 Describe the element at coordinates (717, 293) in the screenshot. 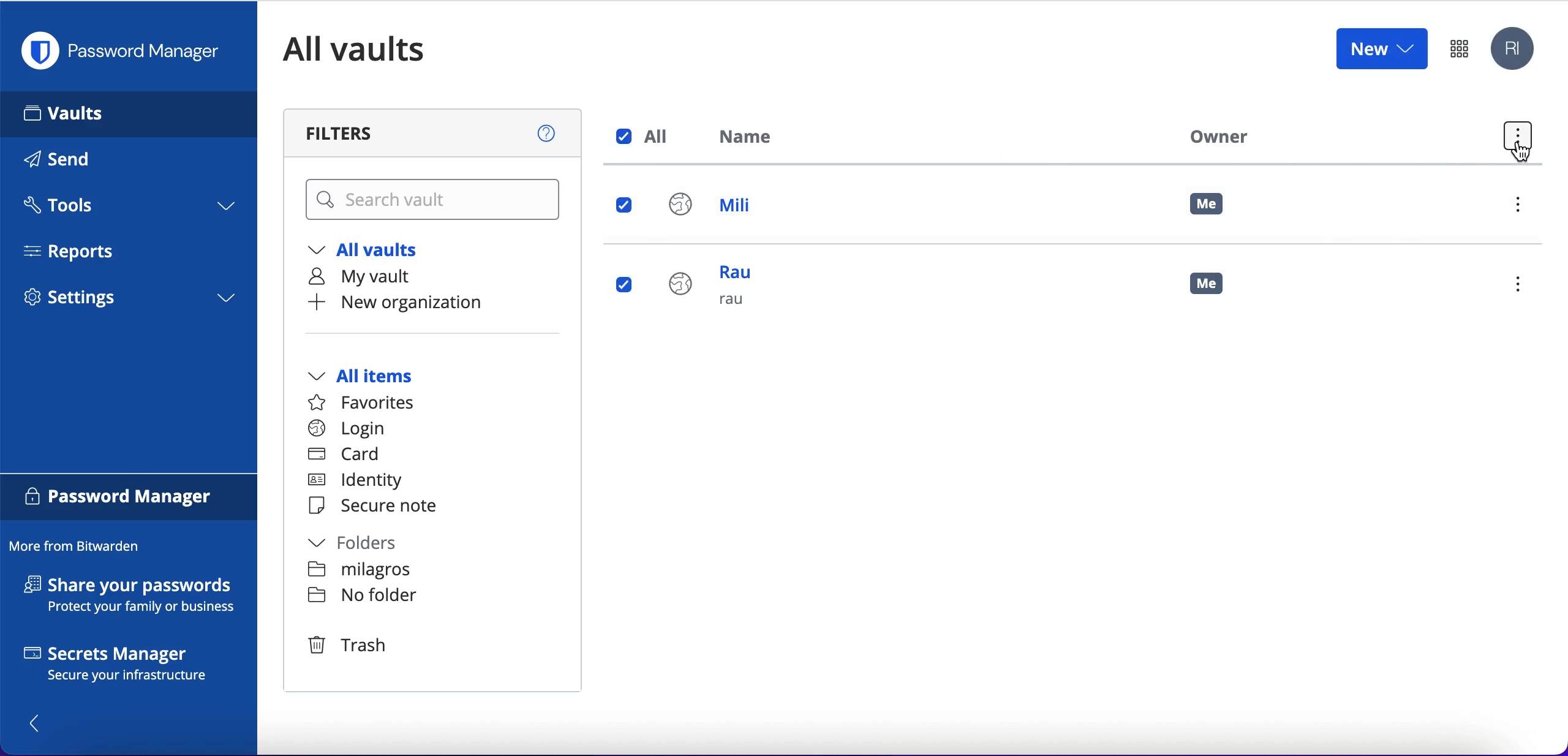

I see `rau rau` at that location.